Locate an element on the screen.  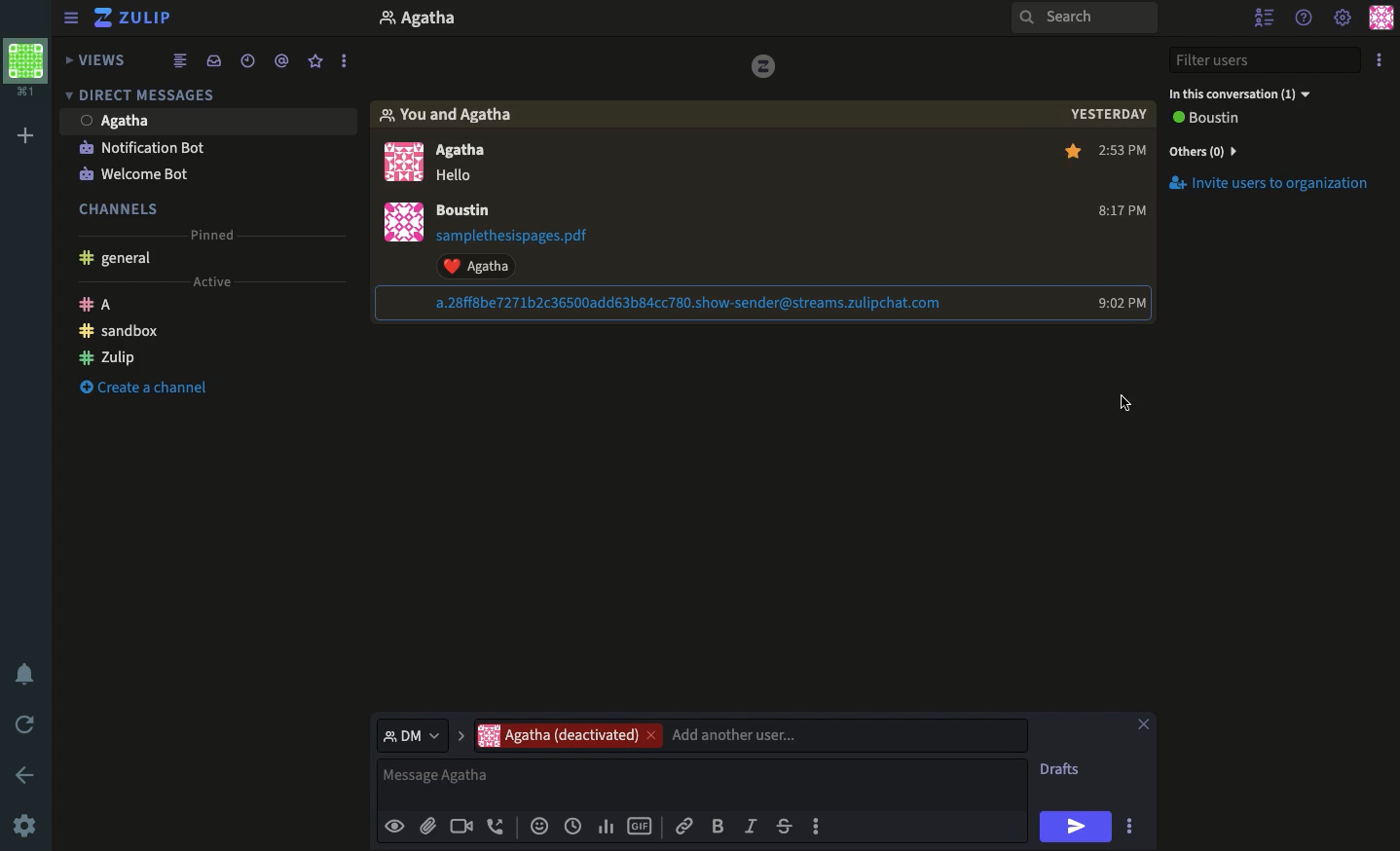
date is located at coordinates (1105, 113).